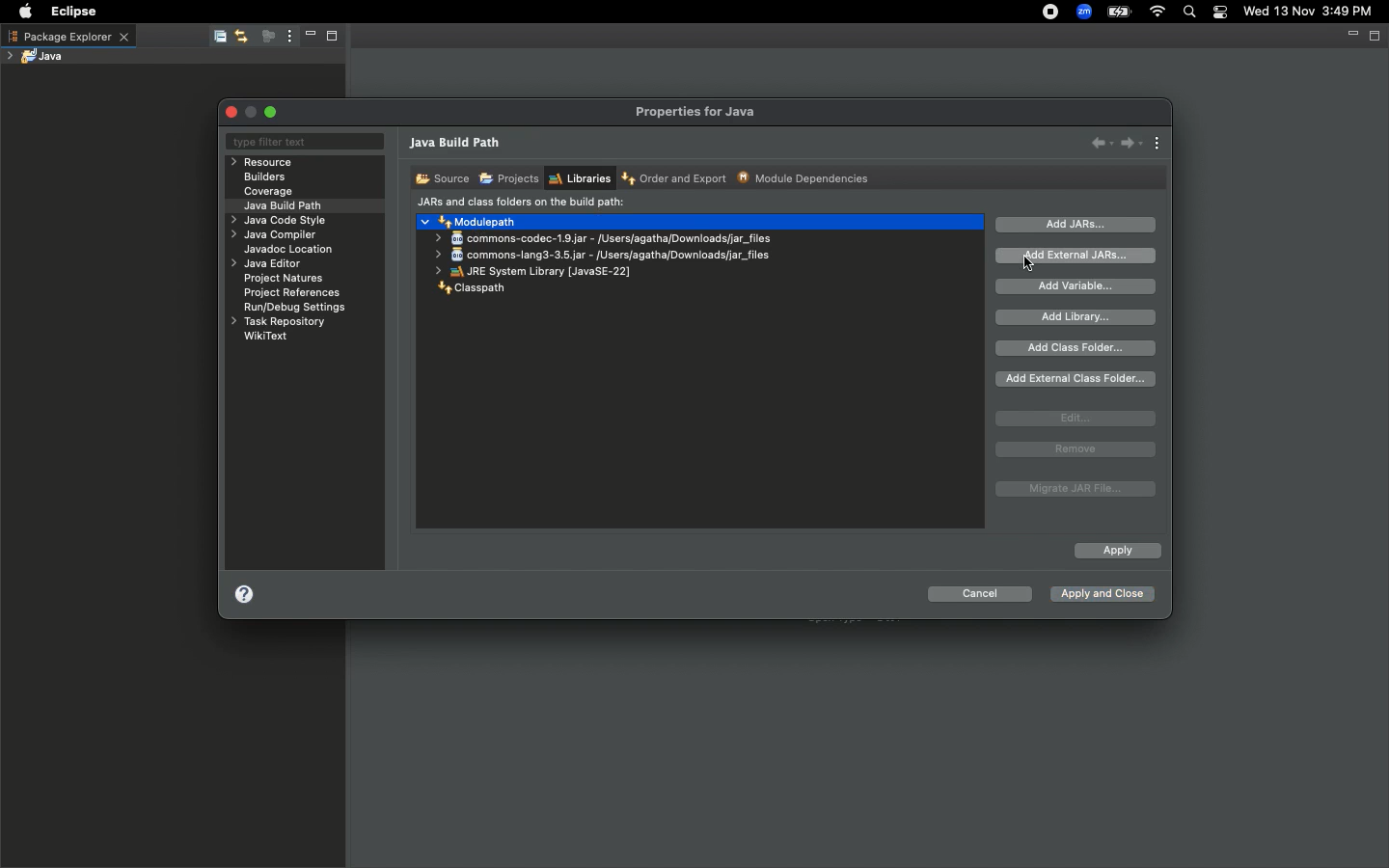 This screenshot has height=868, width=1389. I want to click on Type filter text, so click(303, 143).